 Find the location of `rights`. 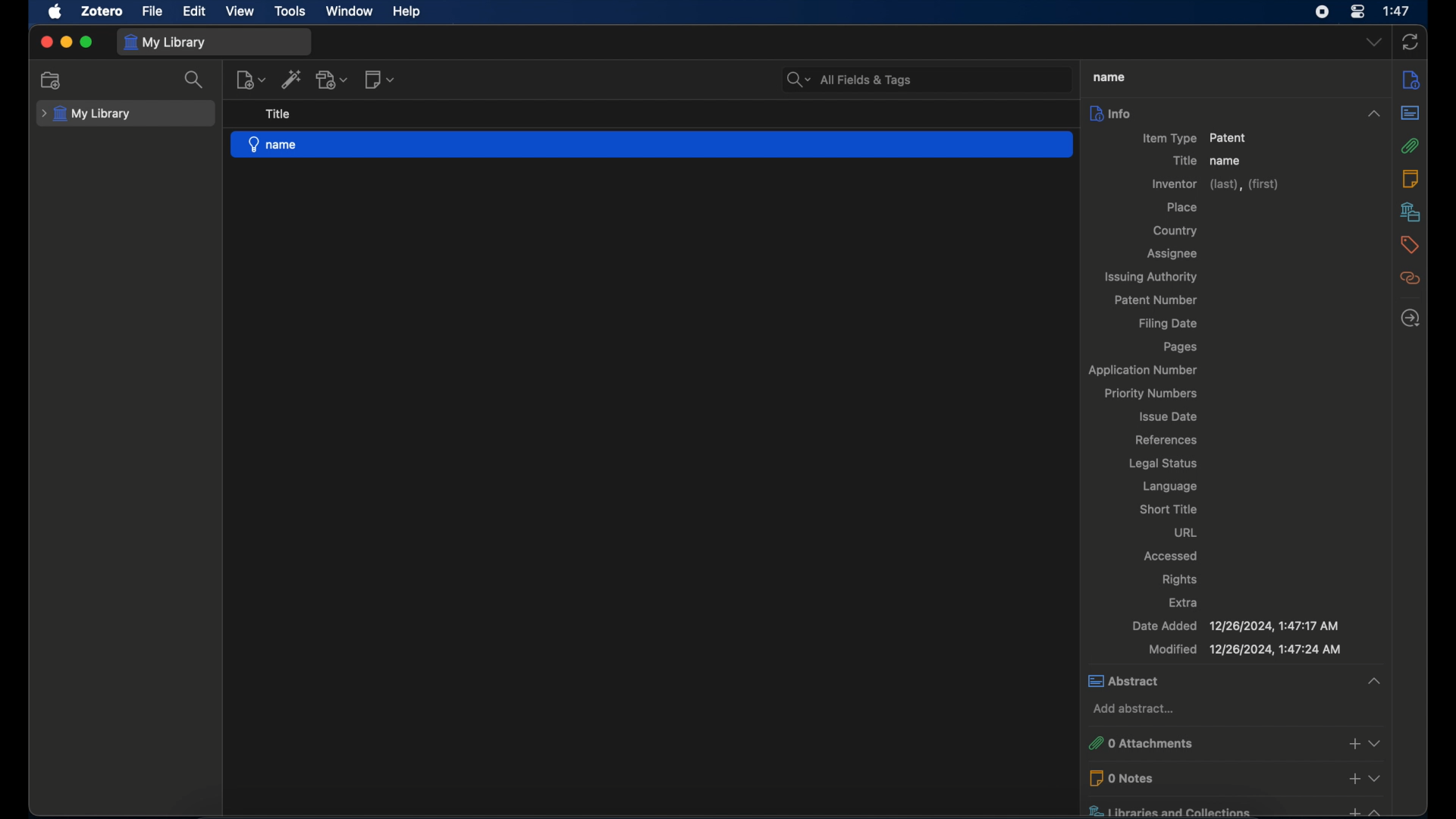

rights is located at coordinates (1180, 579).